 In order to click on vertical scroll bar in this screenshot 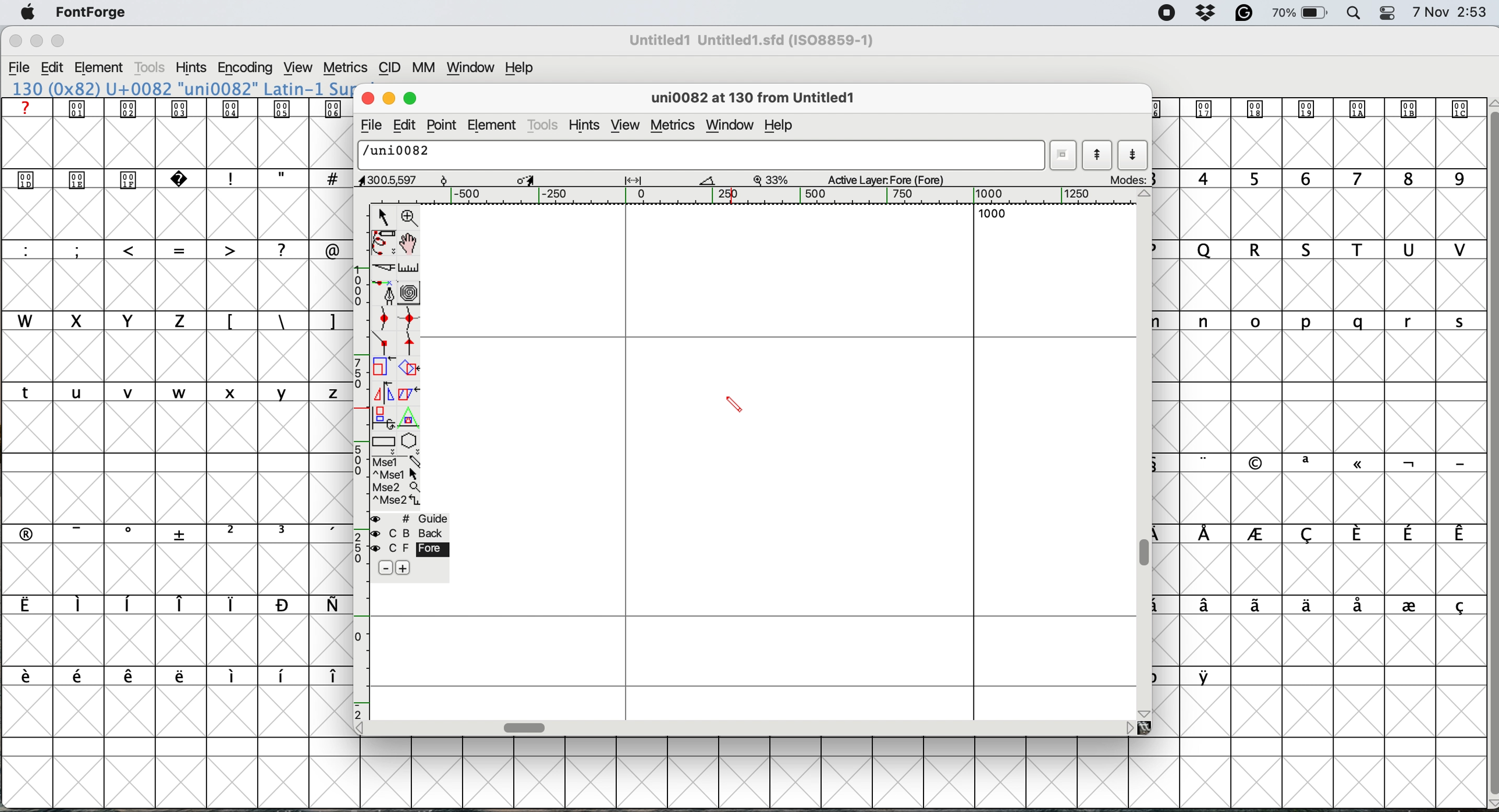, I will do `click(1486, 450)`.